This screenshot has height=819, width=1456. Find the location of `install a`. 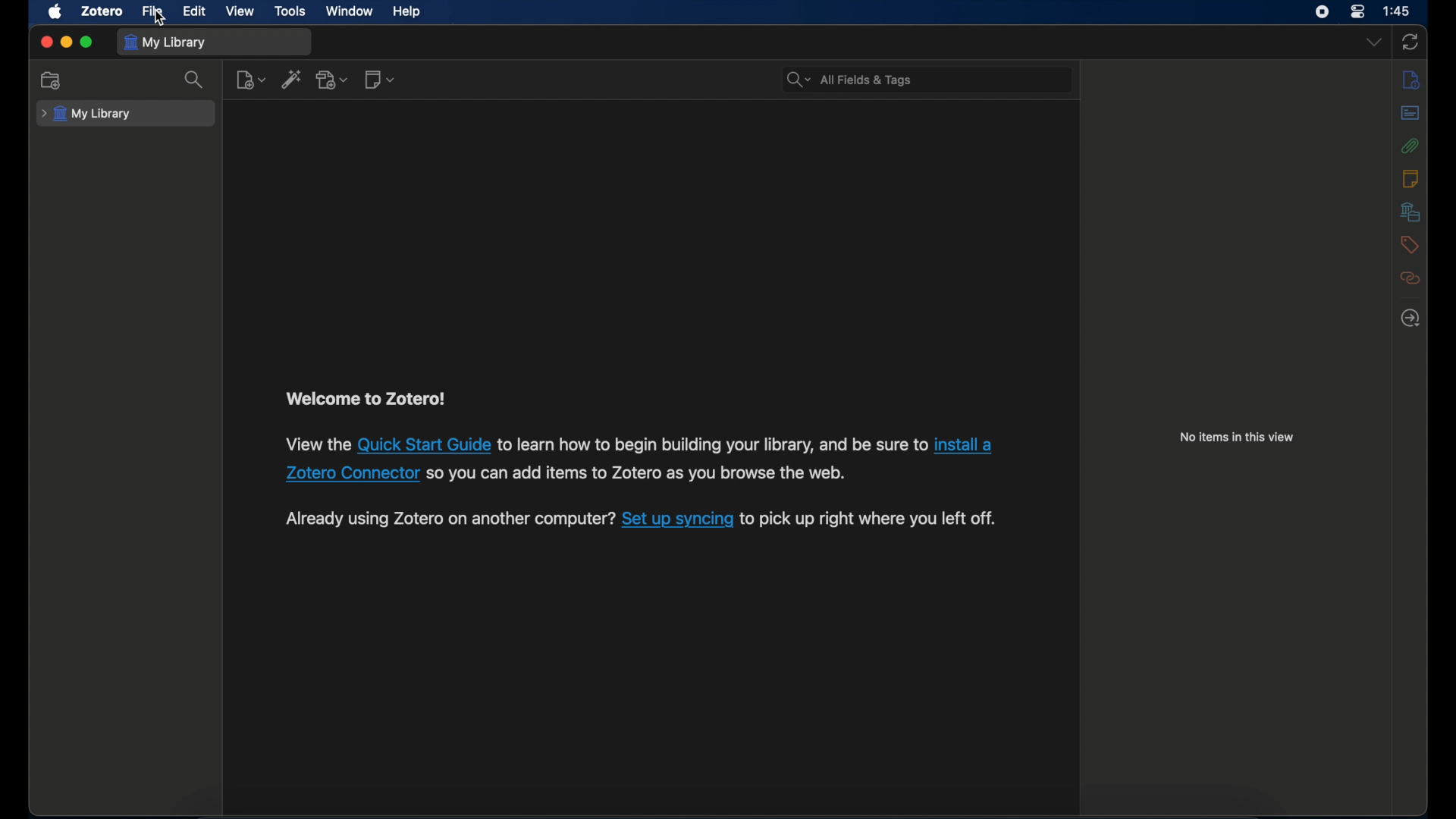

install a is located at coordinates (968, 443).